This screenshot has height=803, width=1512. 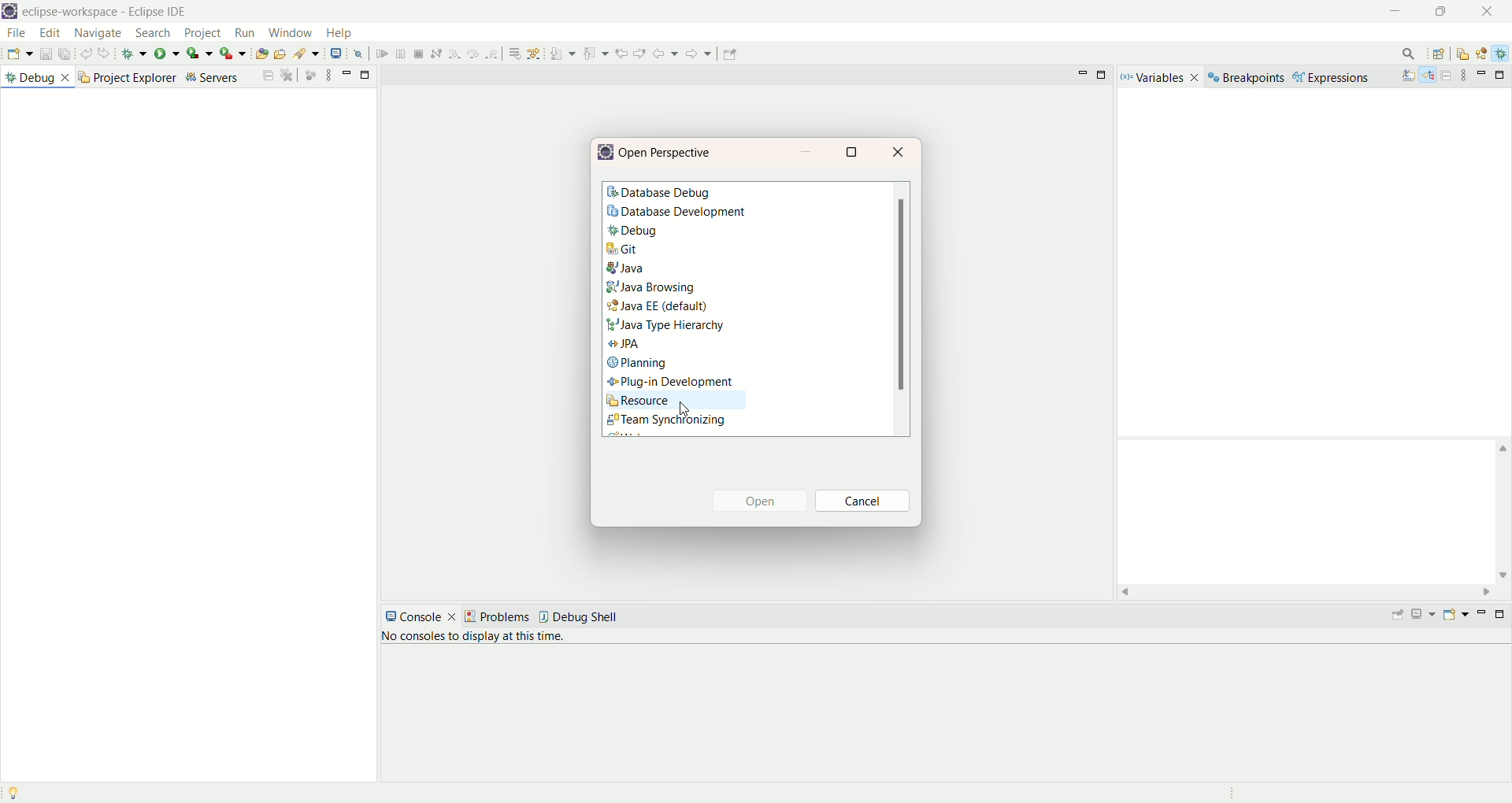 I want to click on database debug, so click(x=661, y=194).